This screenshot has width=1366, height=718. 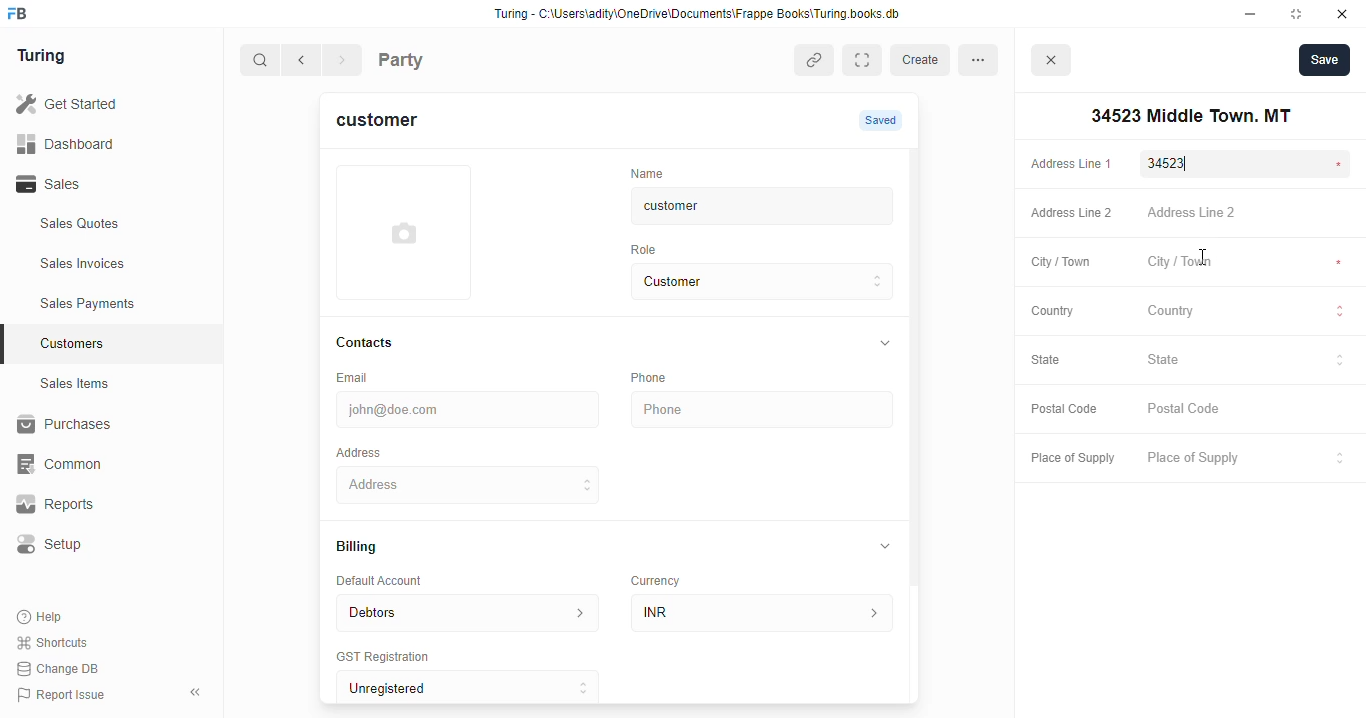 I want to click on 34523, so click(x=1249, y=163).